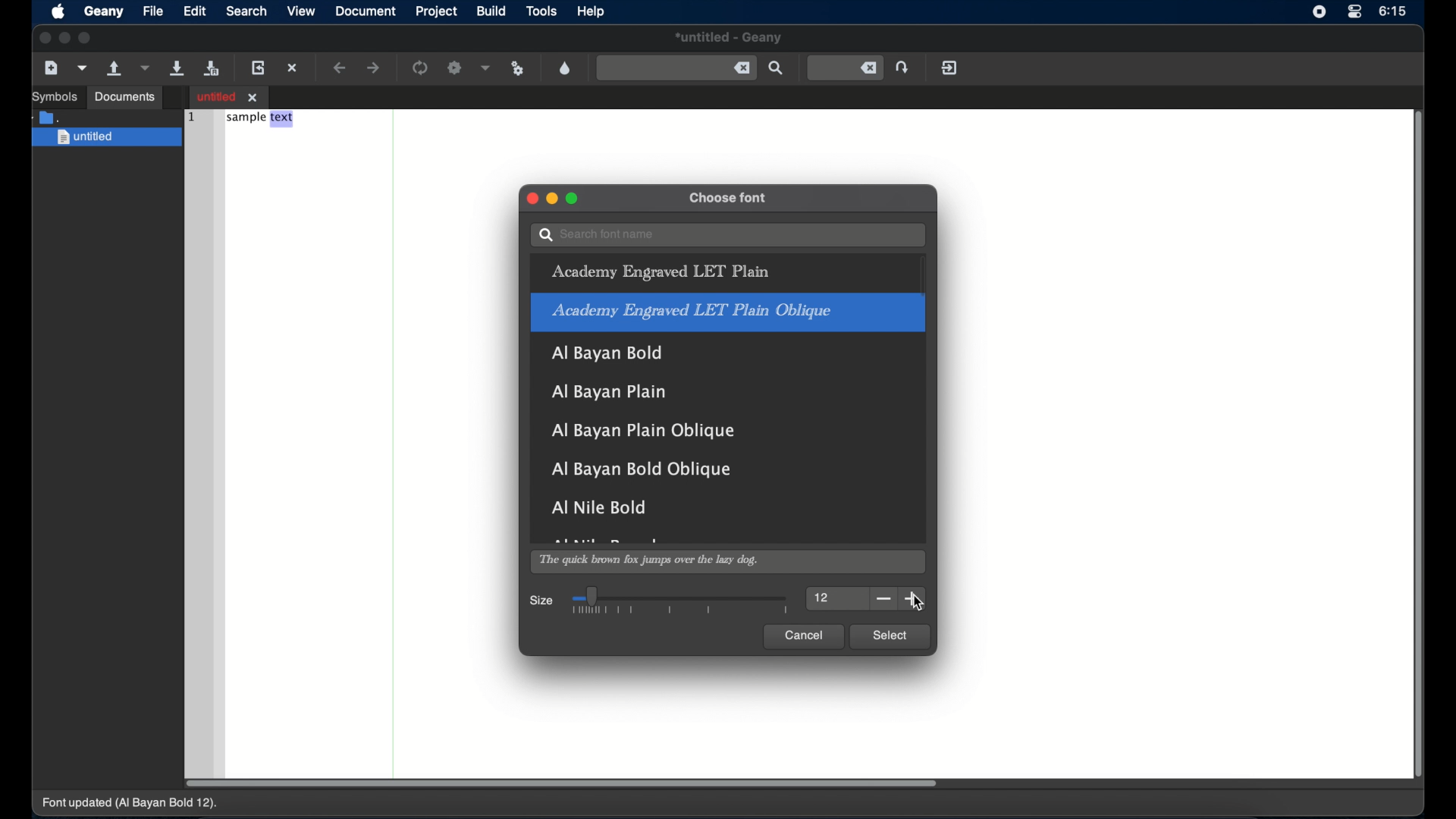  What do you see at coordinates (300, 12) in the screenshot?
I see `view` at bounding box center [300, 12].